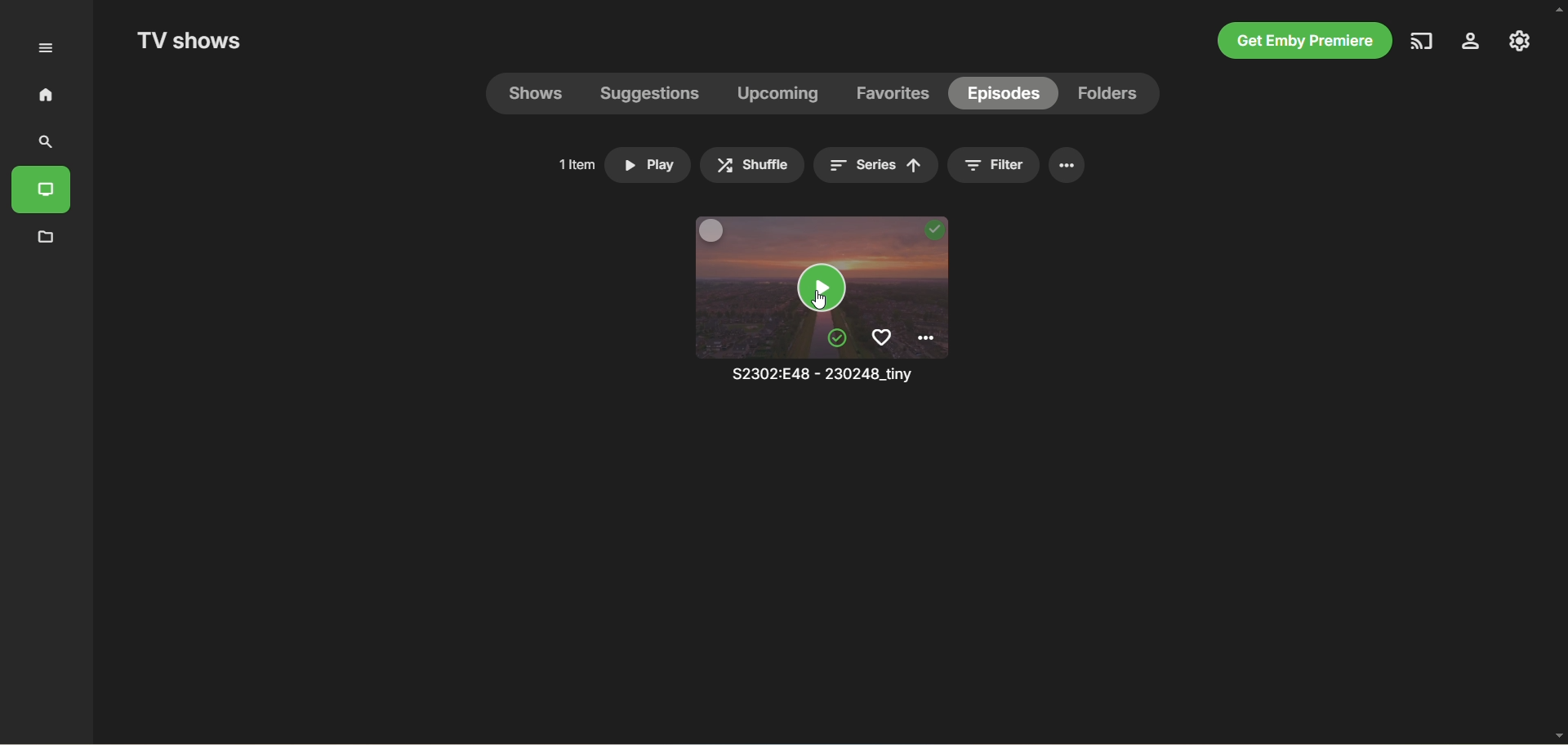 The width and height of the screenshot is (1568, 745). What do you see at coordinates (925, 338) in the screenshot?
I see `Settings` at bounding box center [925, 338].